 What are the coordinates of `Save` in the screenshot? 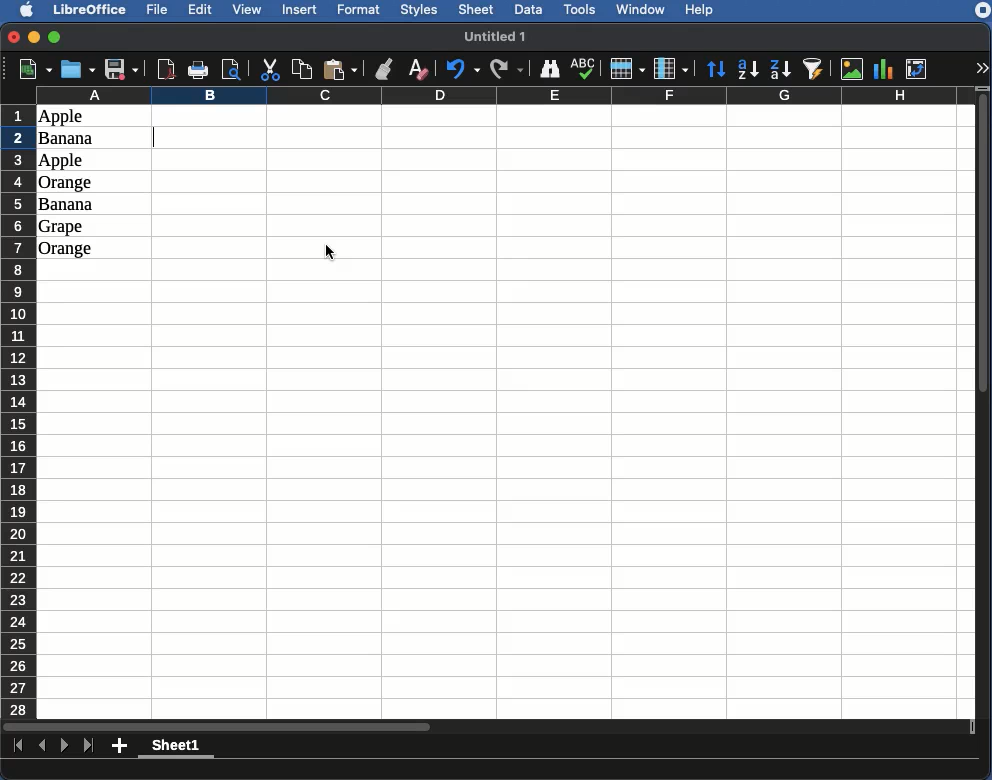 It's located at (121, 69).